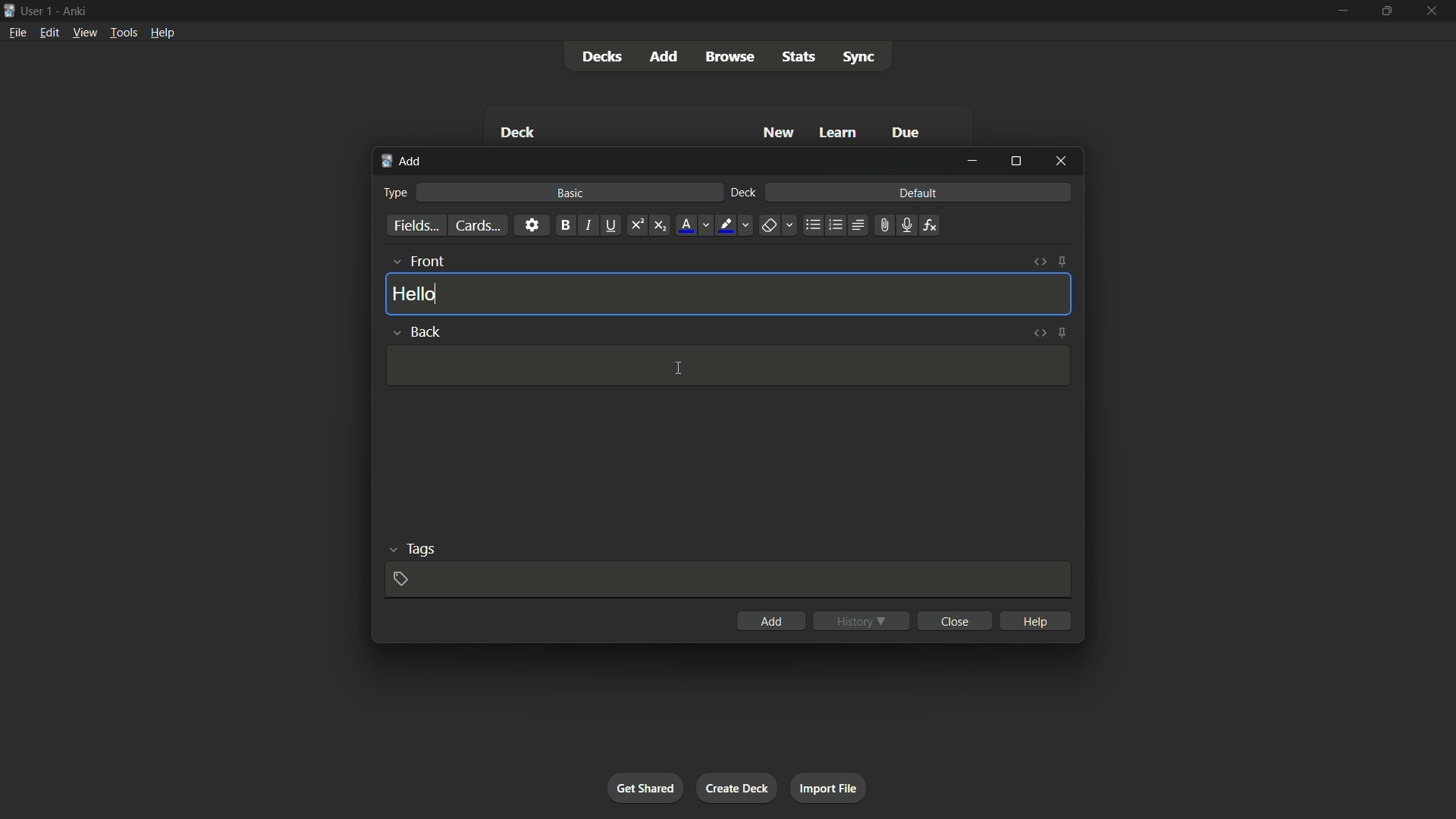 The width and height of the screenshot is (1456, 819). What do you see at coordinates (930, 224) in the screenshot?
I see `equation` at bounding box center [930, 224].